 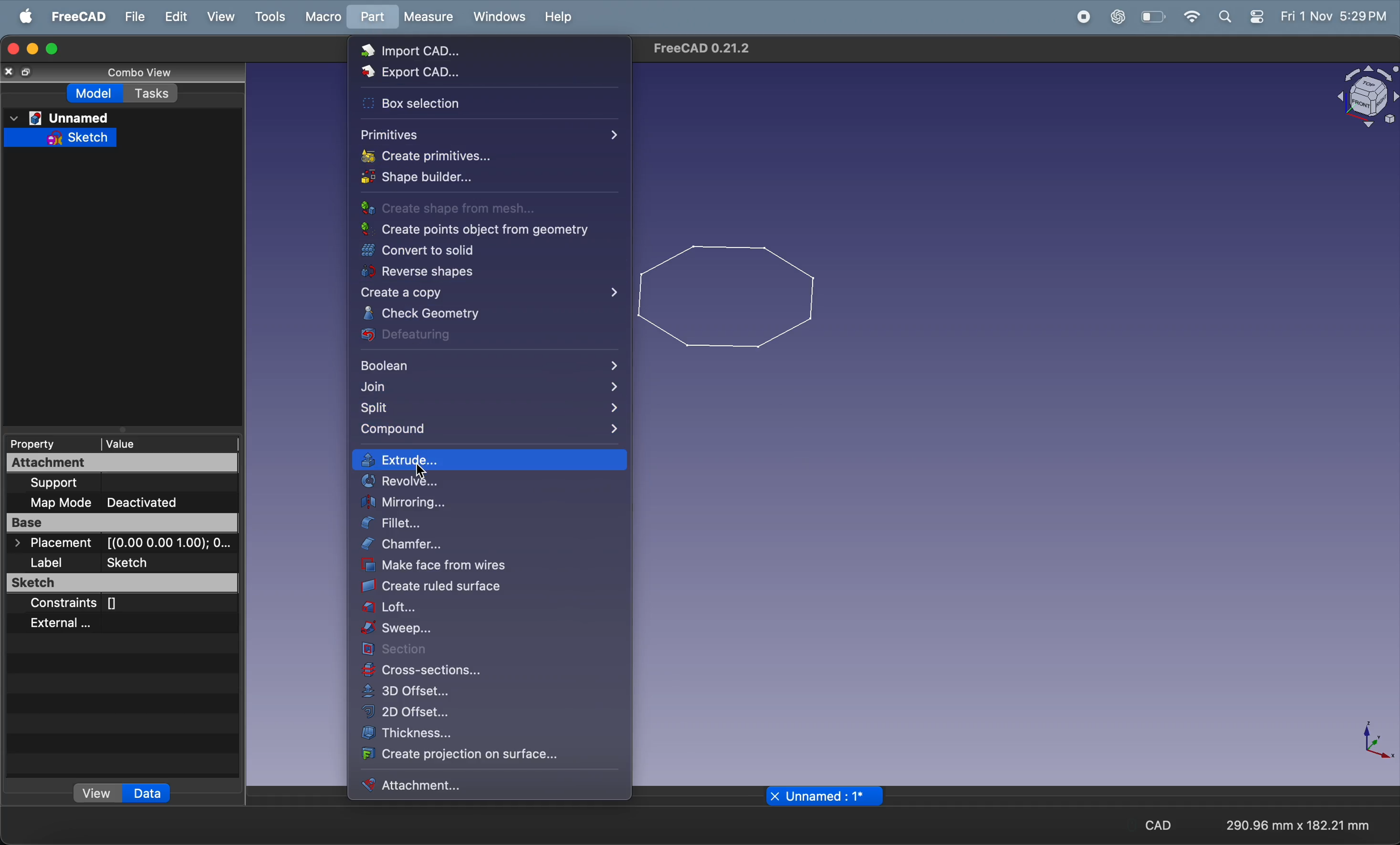 What do you see at coordinates (174, 503) in the screenshot?
I see `deactivated` at bounding box center [174, 503].